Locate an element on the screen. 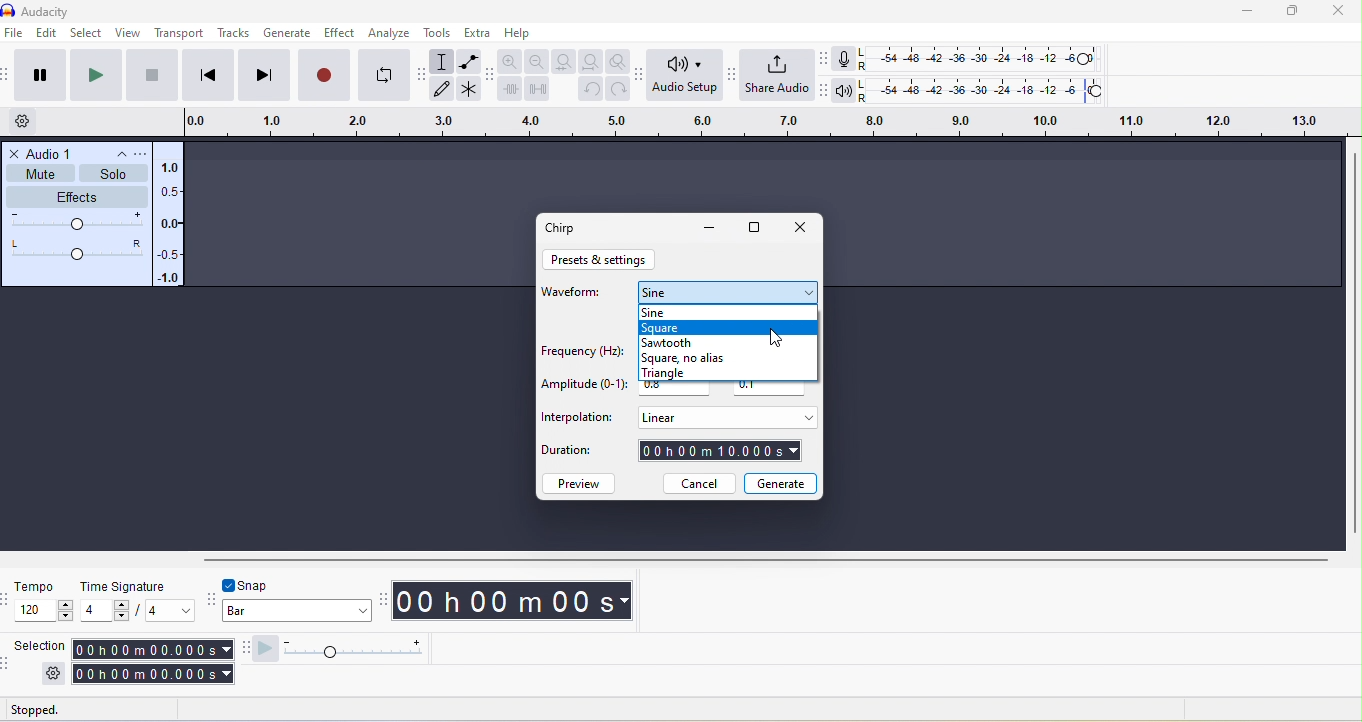 The image size is (1362, 722). audacity edit toolbar is located at coordinates (491, 74).